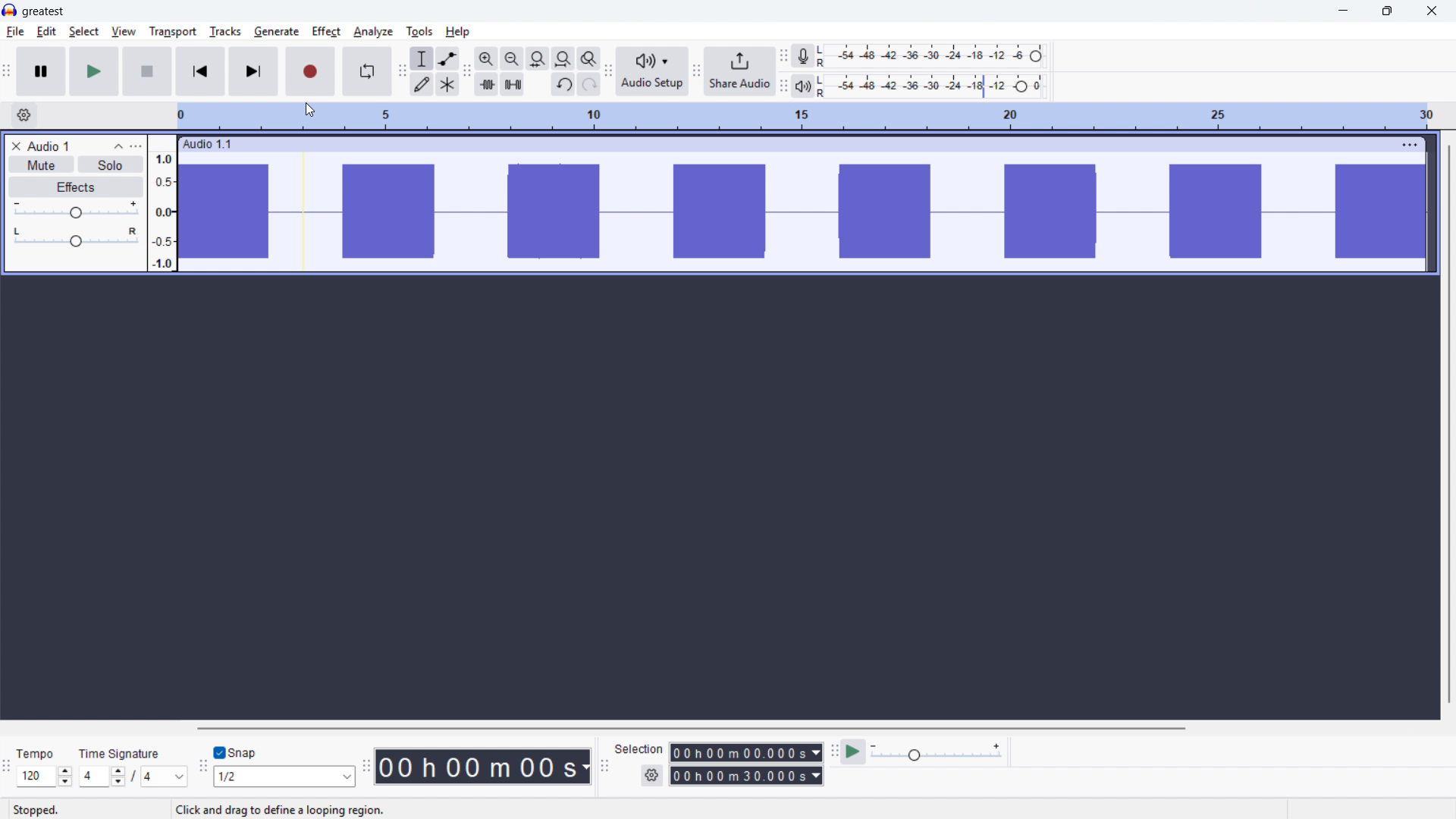  I want to click on zoom out, so click(513, 58).